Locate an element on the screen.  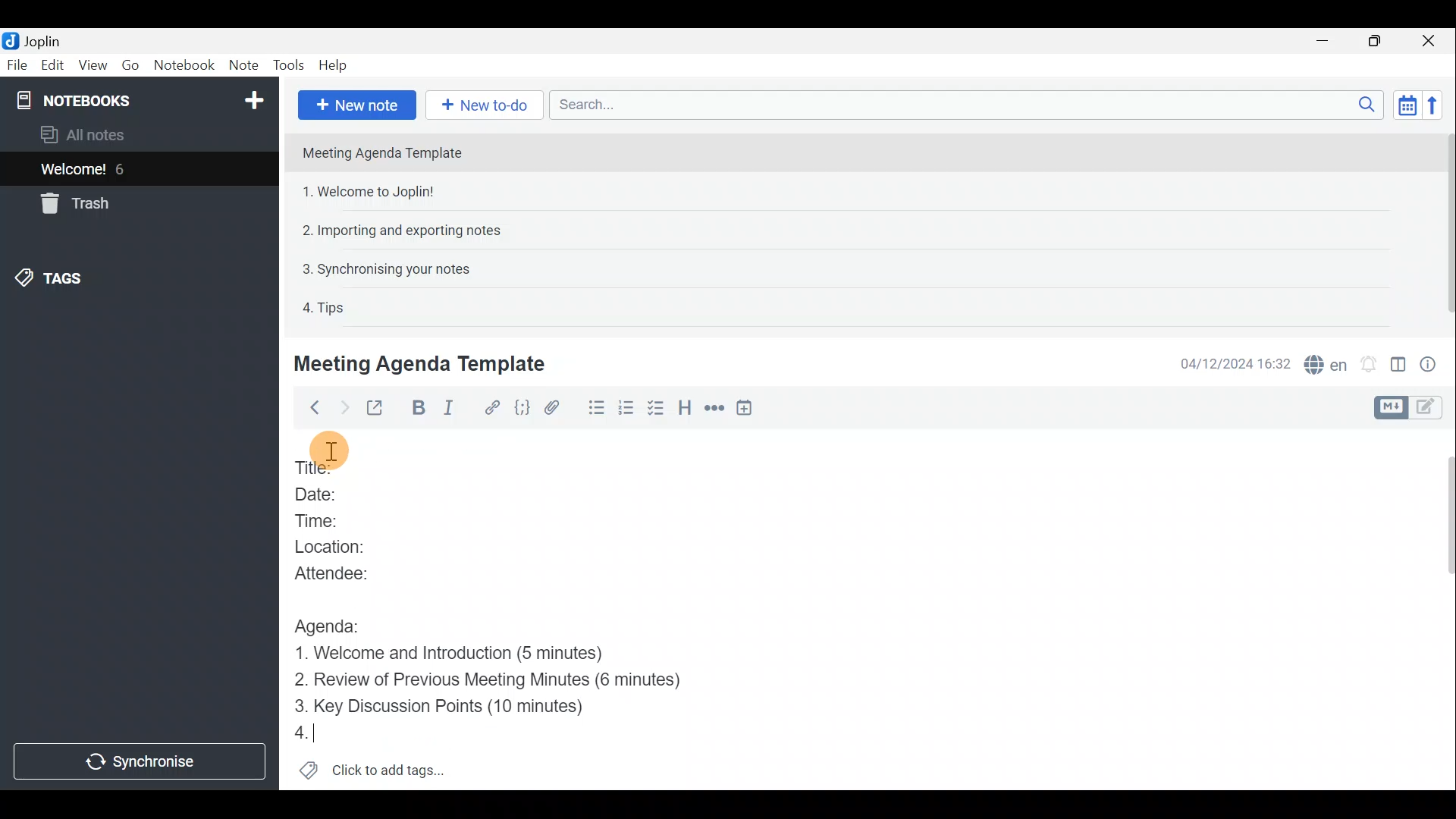
Note properties is located at coordinates (1433, 363).